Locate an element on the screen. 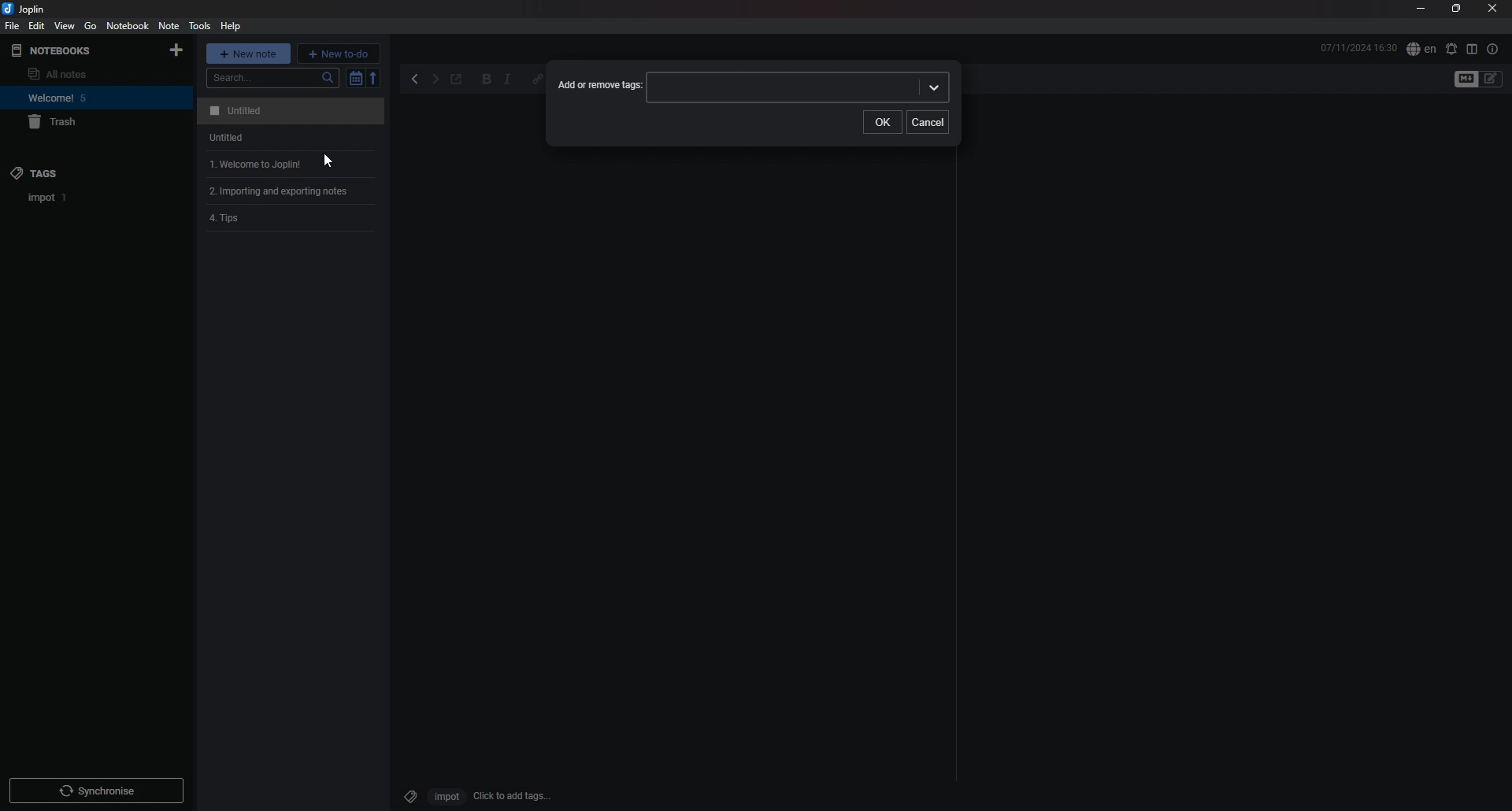 The width and height of the screenshot is (1512, 811). go is located at coordinates (91, 25).